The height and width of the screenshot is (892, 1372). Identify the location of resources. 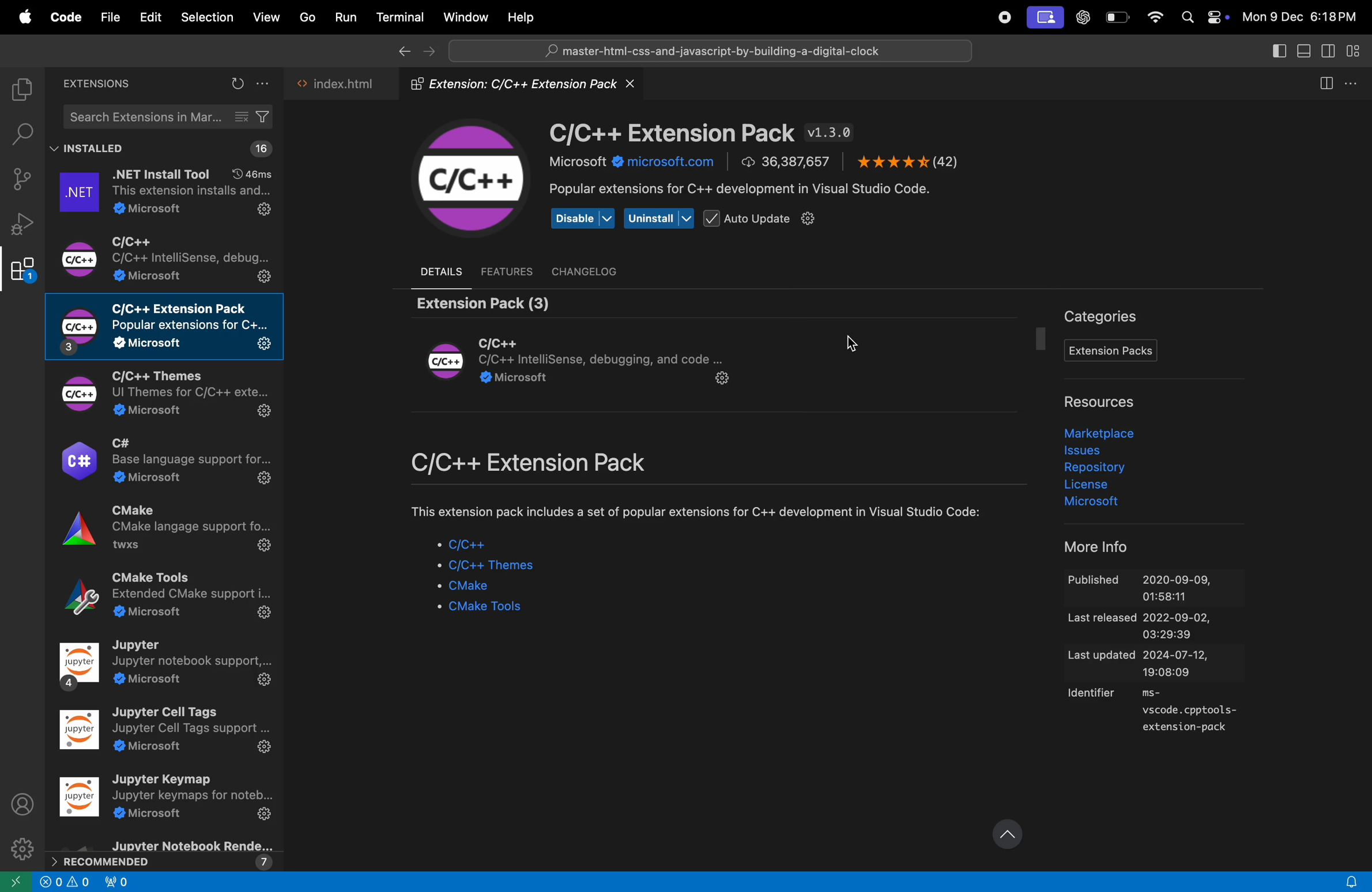
(1096, 403).